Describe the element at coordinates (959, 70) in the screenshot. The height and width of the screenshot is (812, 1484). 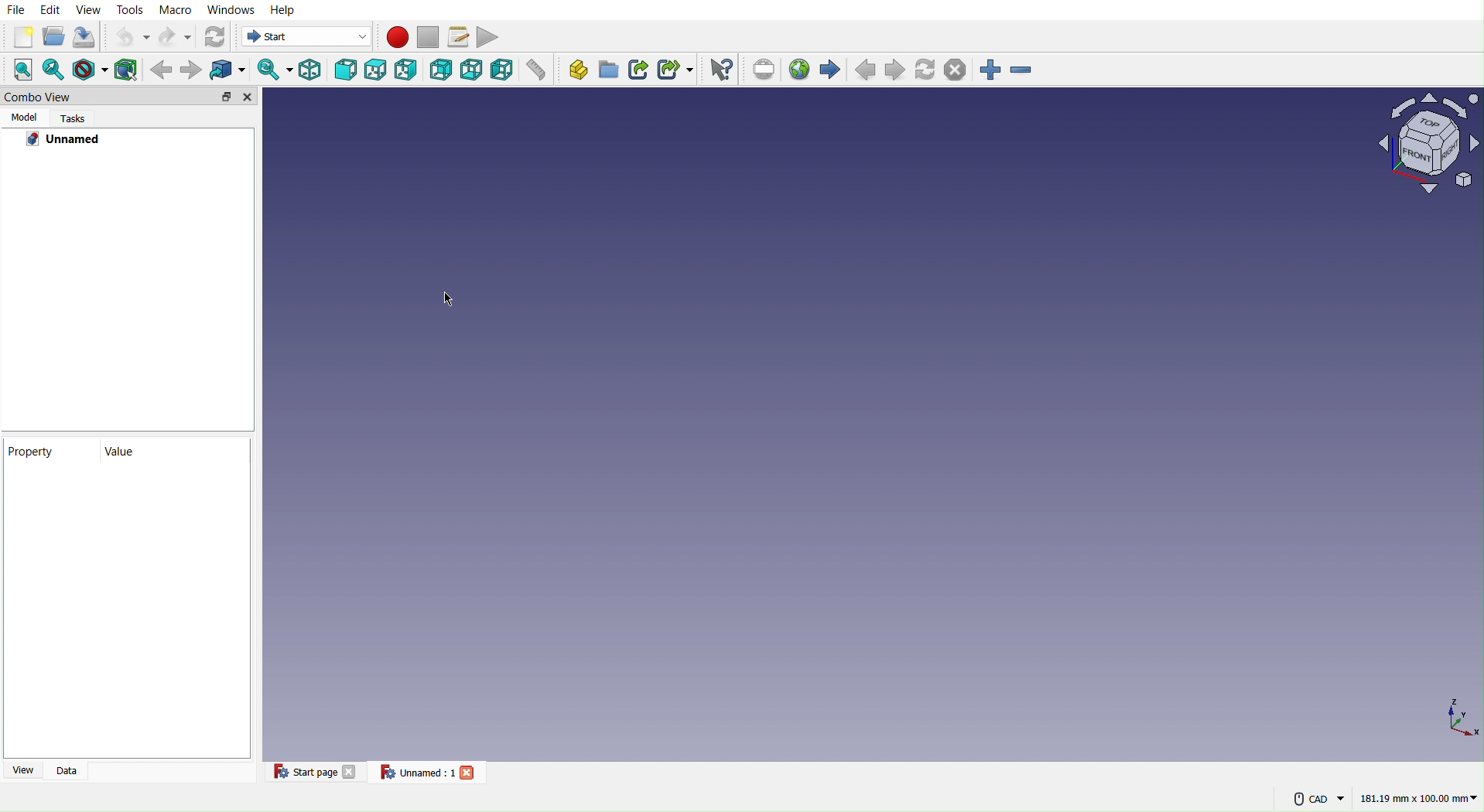
I see `Stop Loading` at that location.